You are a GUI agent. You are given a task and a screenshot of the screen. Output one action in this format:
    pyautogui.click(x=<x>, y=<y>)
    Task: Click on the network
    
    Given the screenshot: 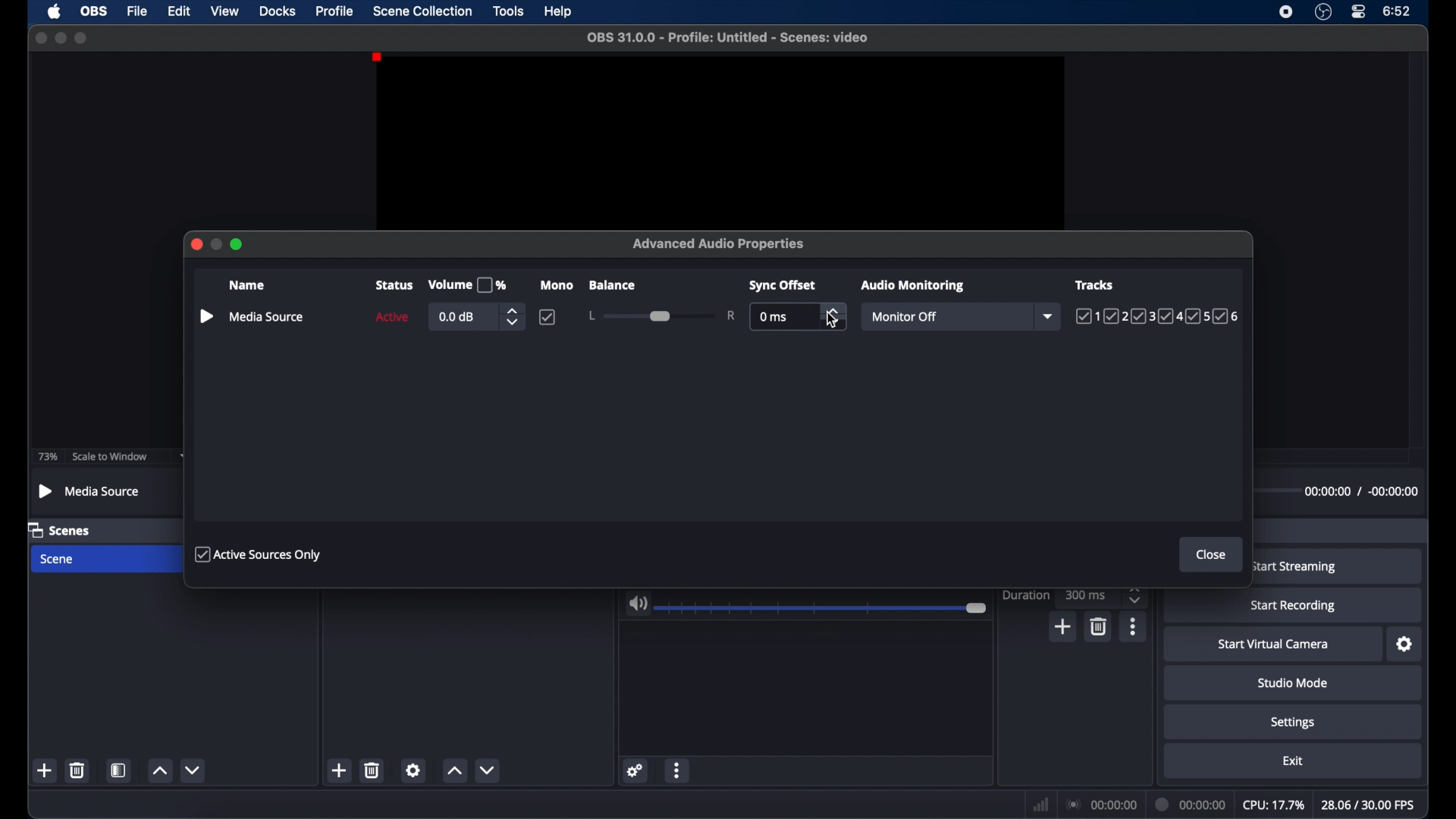 What is the action you would take?
    pyautogui.click(x=1041, y=805)
    